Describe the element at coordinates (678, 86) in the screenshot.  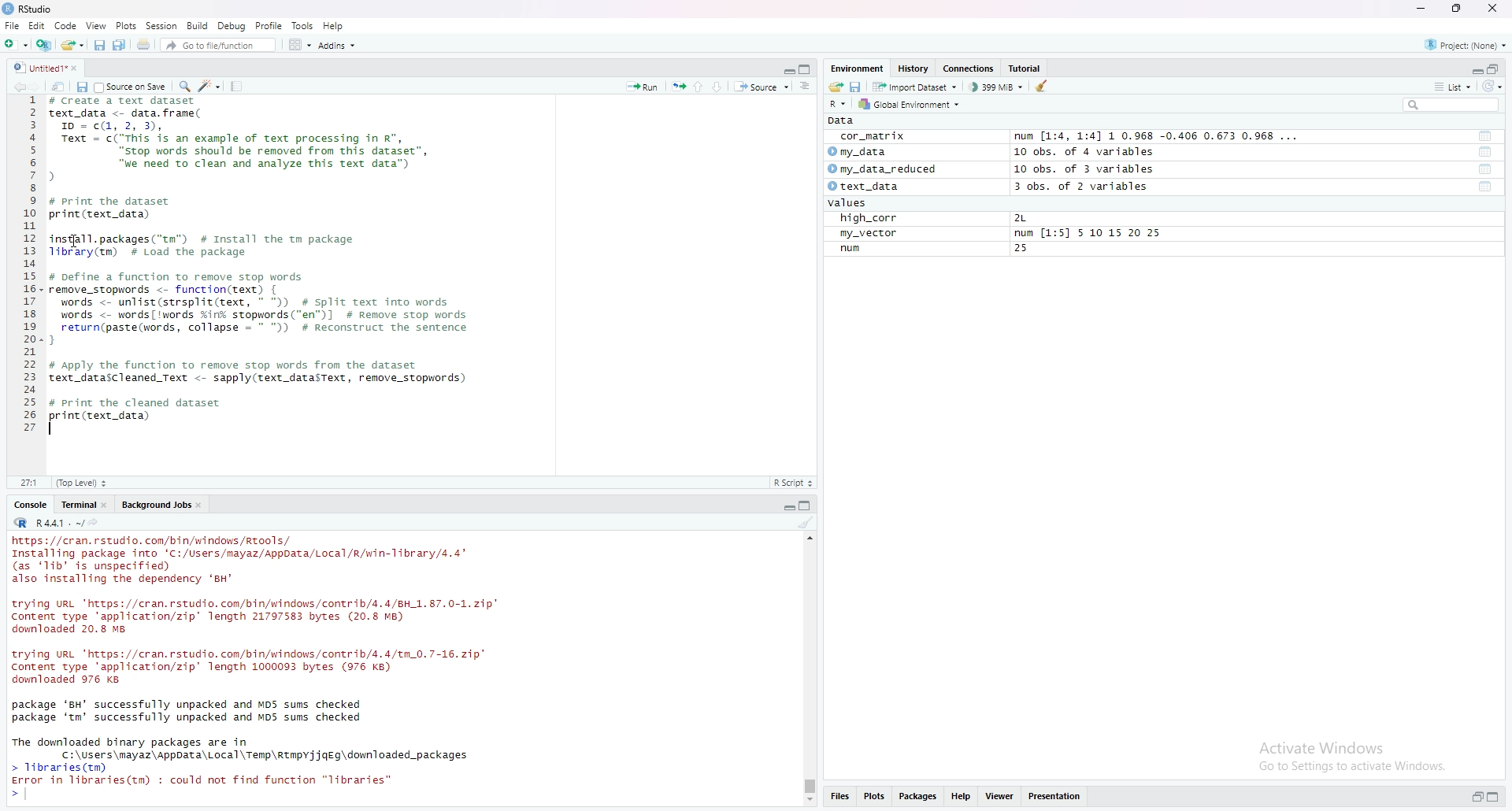
I see `rerun the previous code region` at that location.